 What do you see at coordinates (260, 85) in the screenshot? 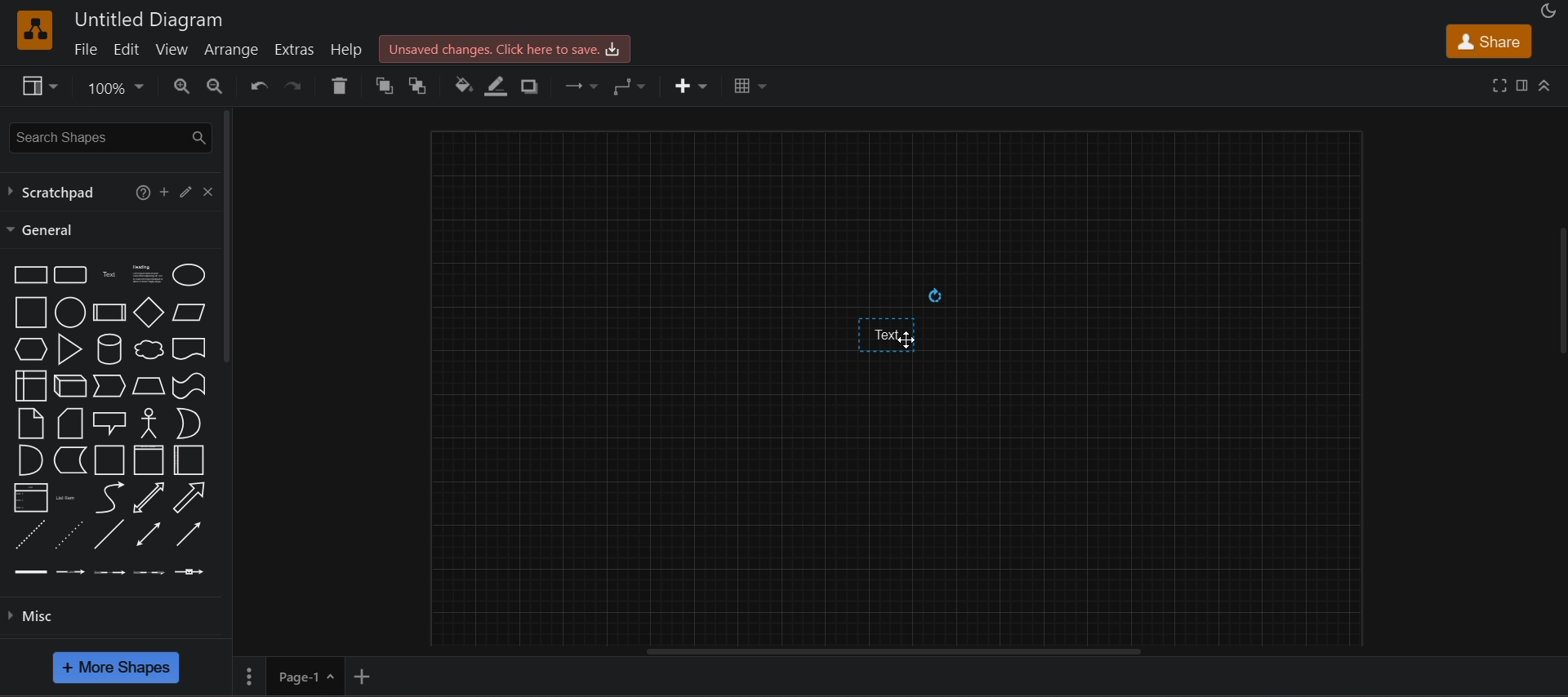
I see `undo` at bounding box center [260, 85].